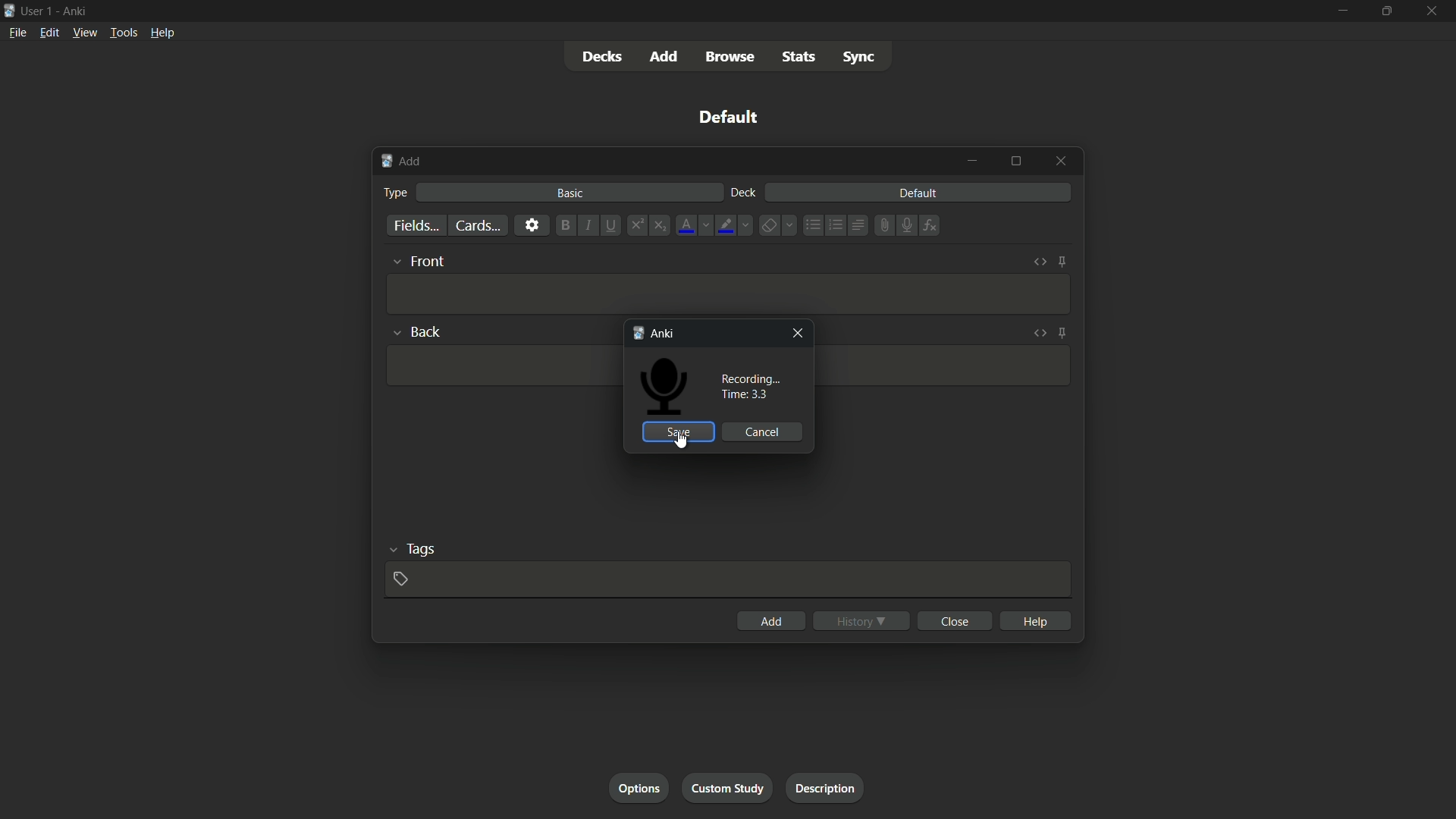  What do you see at coordinates (802, 58) in the screenshot?
I see `stats` at bounding box center [802, 58].